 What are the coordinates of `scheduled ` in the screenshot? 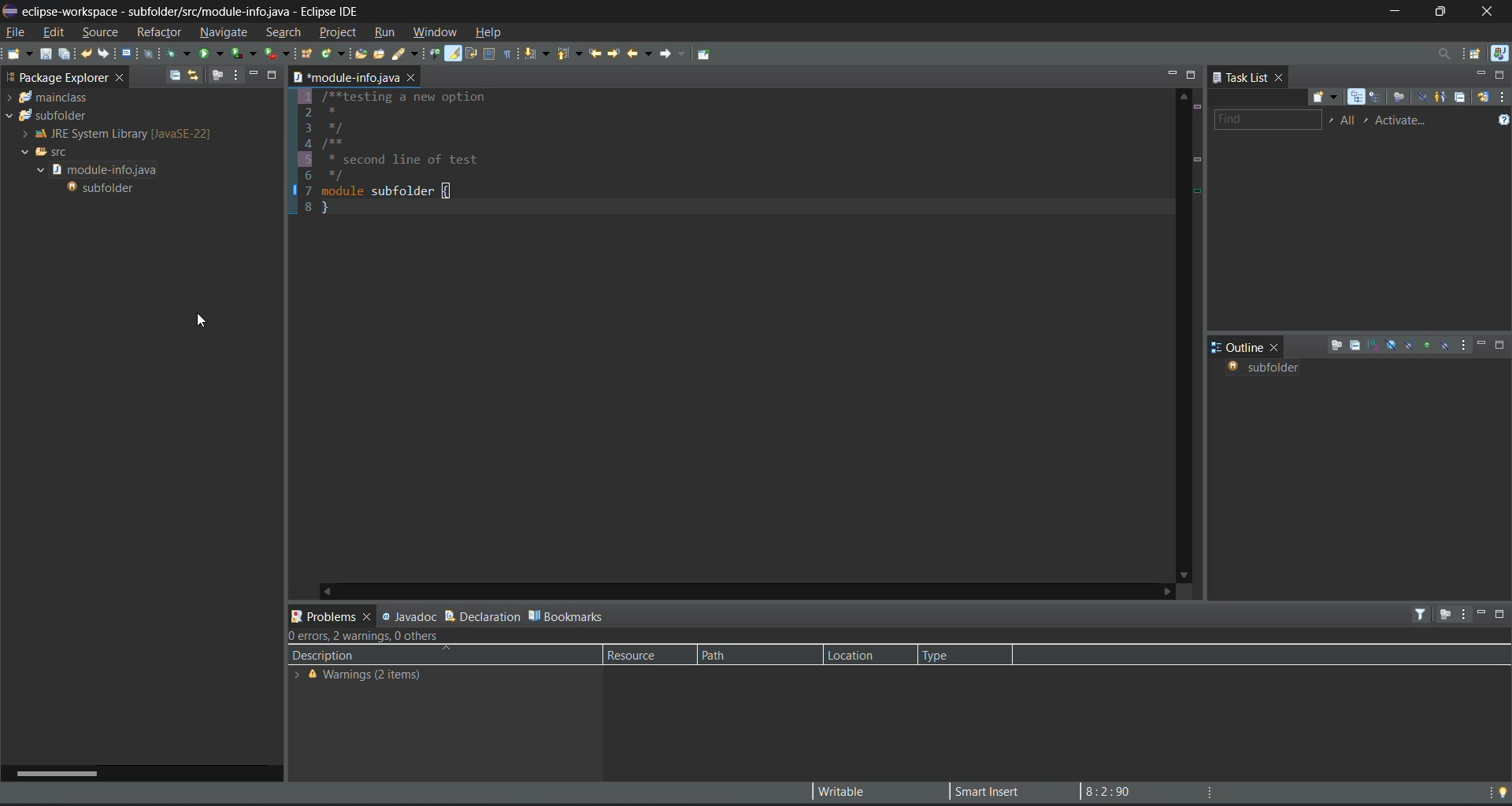 It's located at (1378, 98).